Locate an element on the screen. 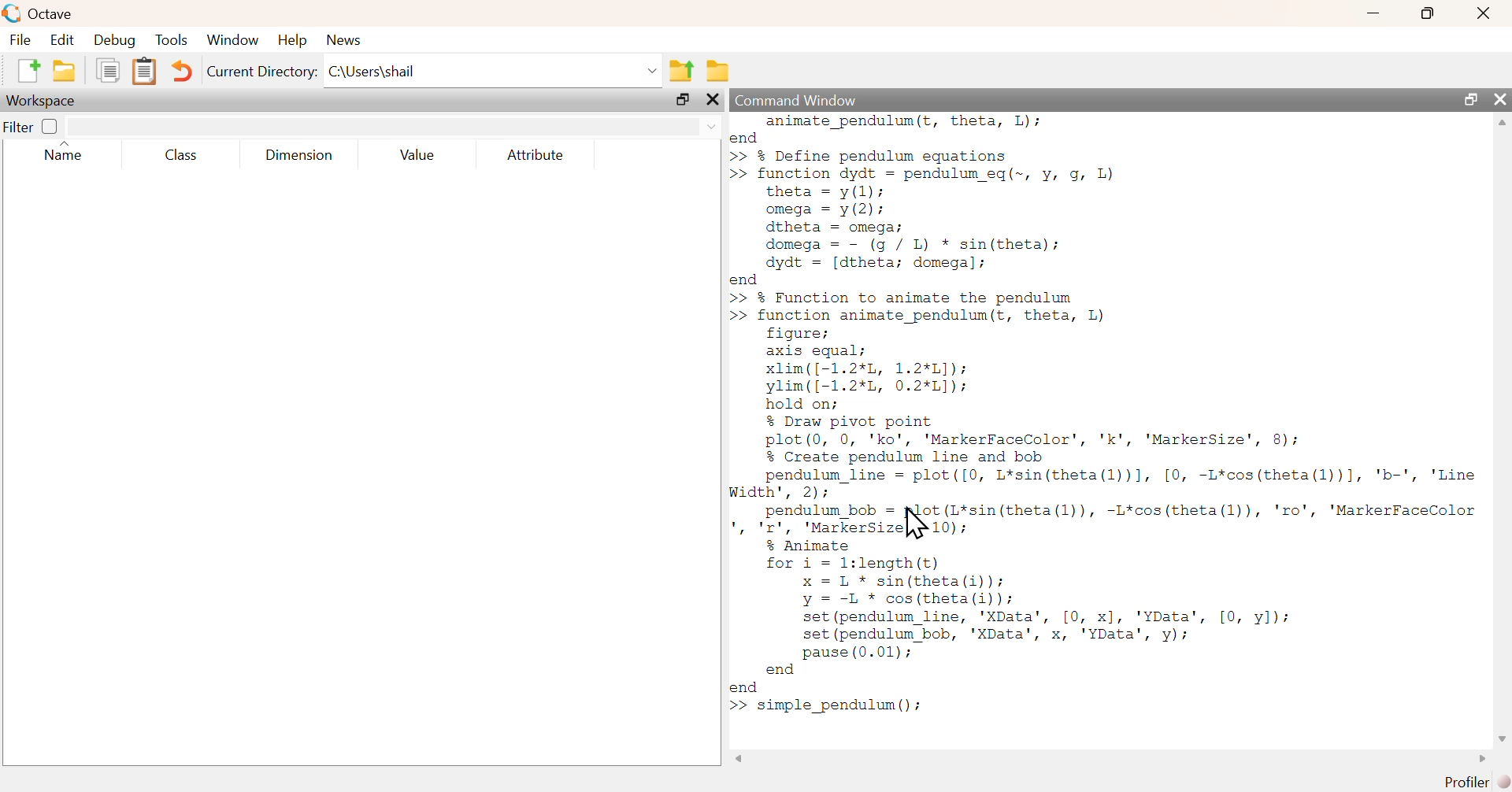 This screenshot has width=1512, height=792. Maximize is located at coordinates (1472, 99).